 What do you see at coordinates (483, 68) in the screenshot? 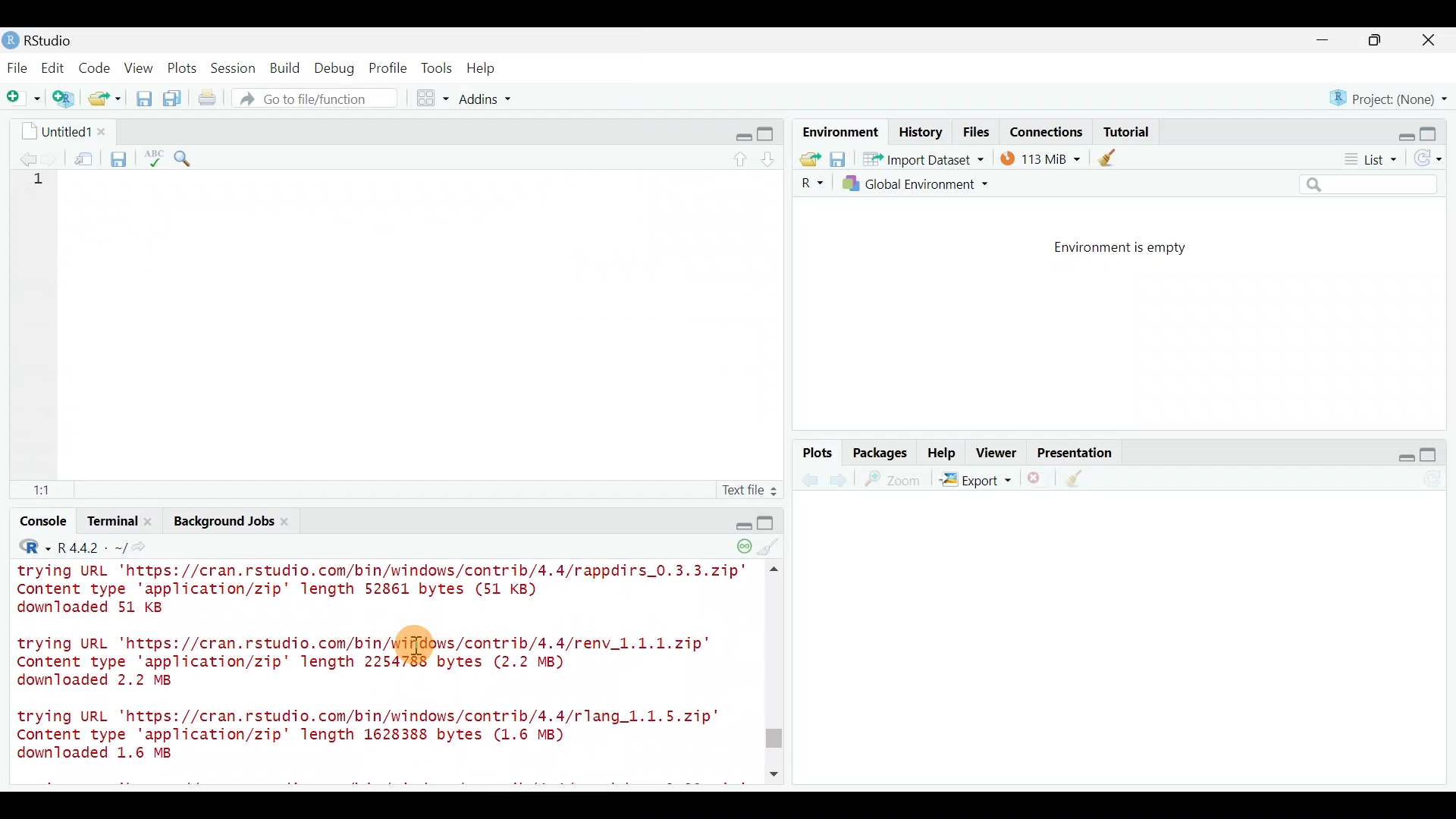
I see `Help` at bounding box center [483, 68].